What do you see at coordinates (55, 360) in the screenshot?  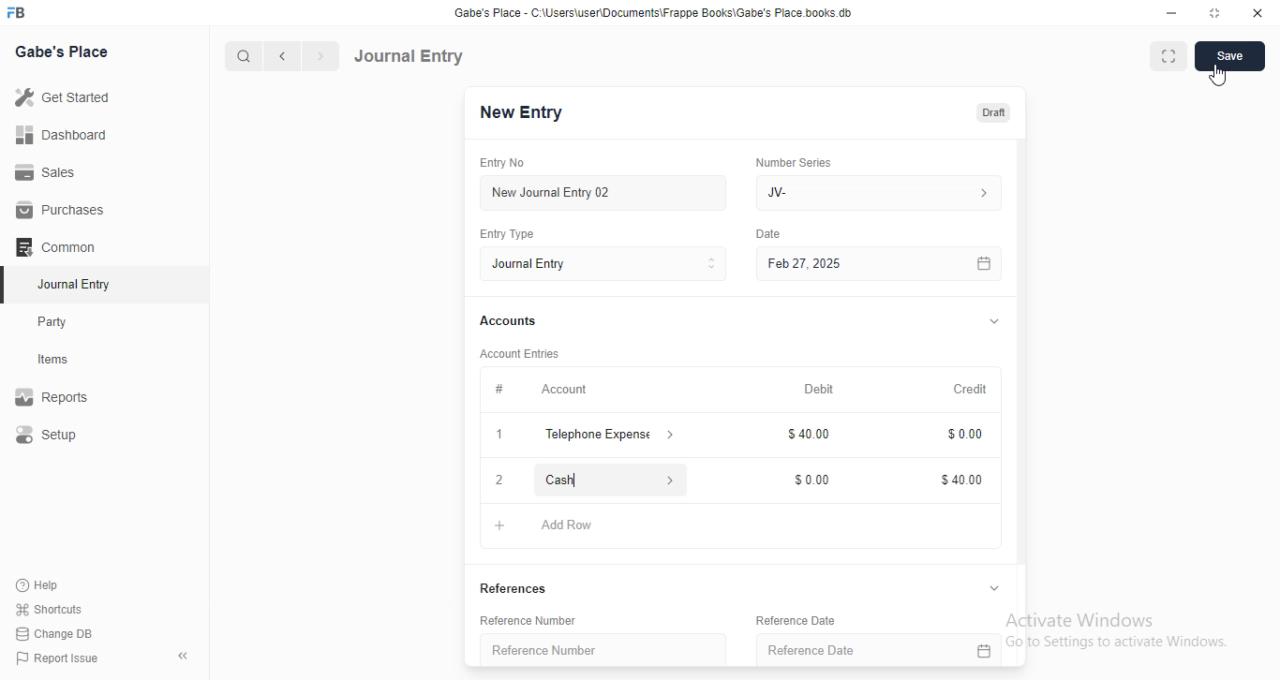 I see `Items` at bounding box center [55, 360].